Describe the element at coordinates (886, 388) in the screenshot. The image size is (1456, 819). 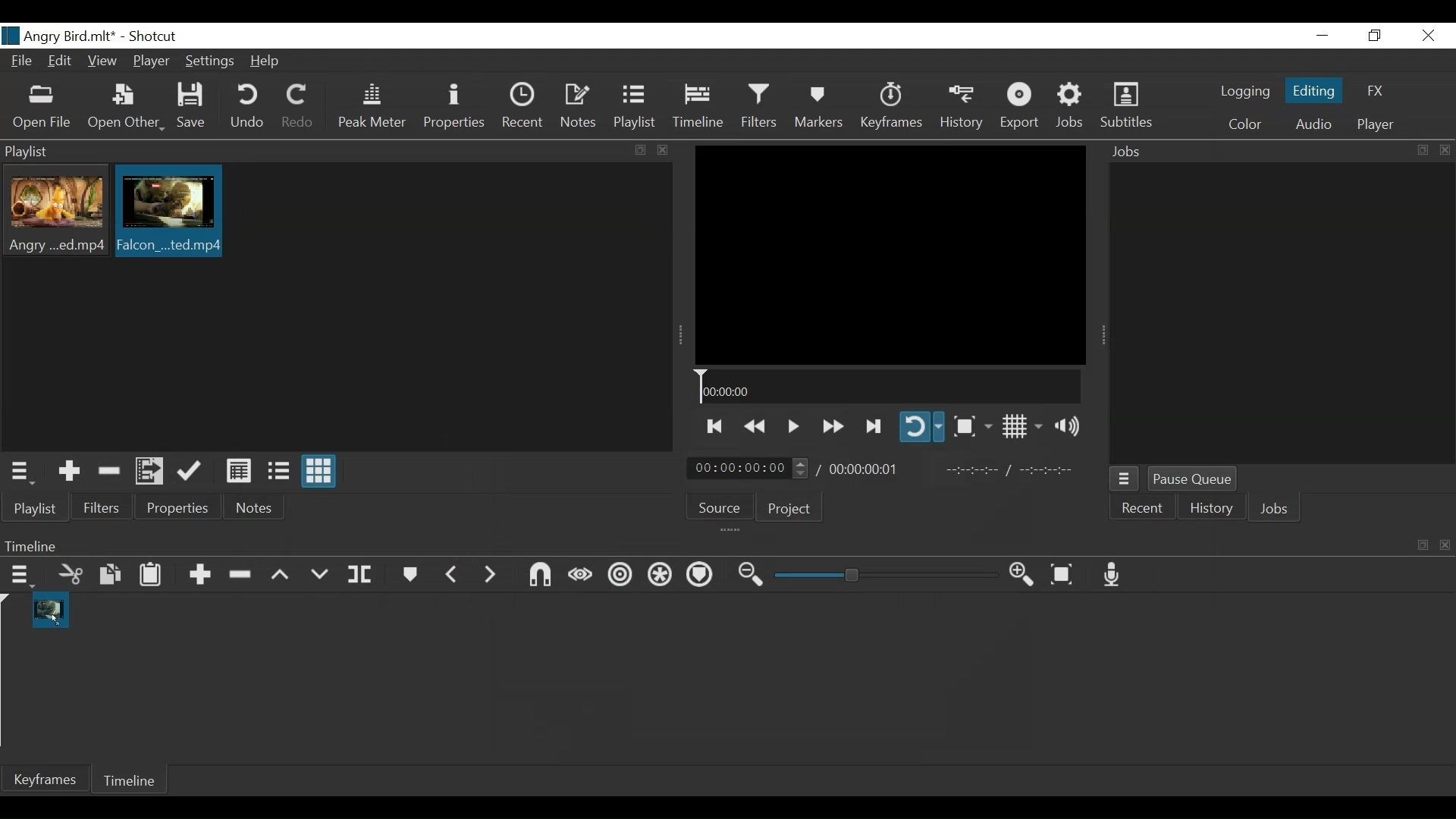
I see `Timeline` at that location.